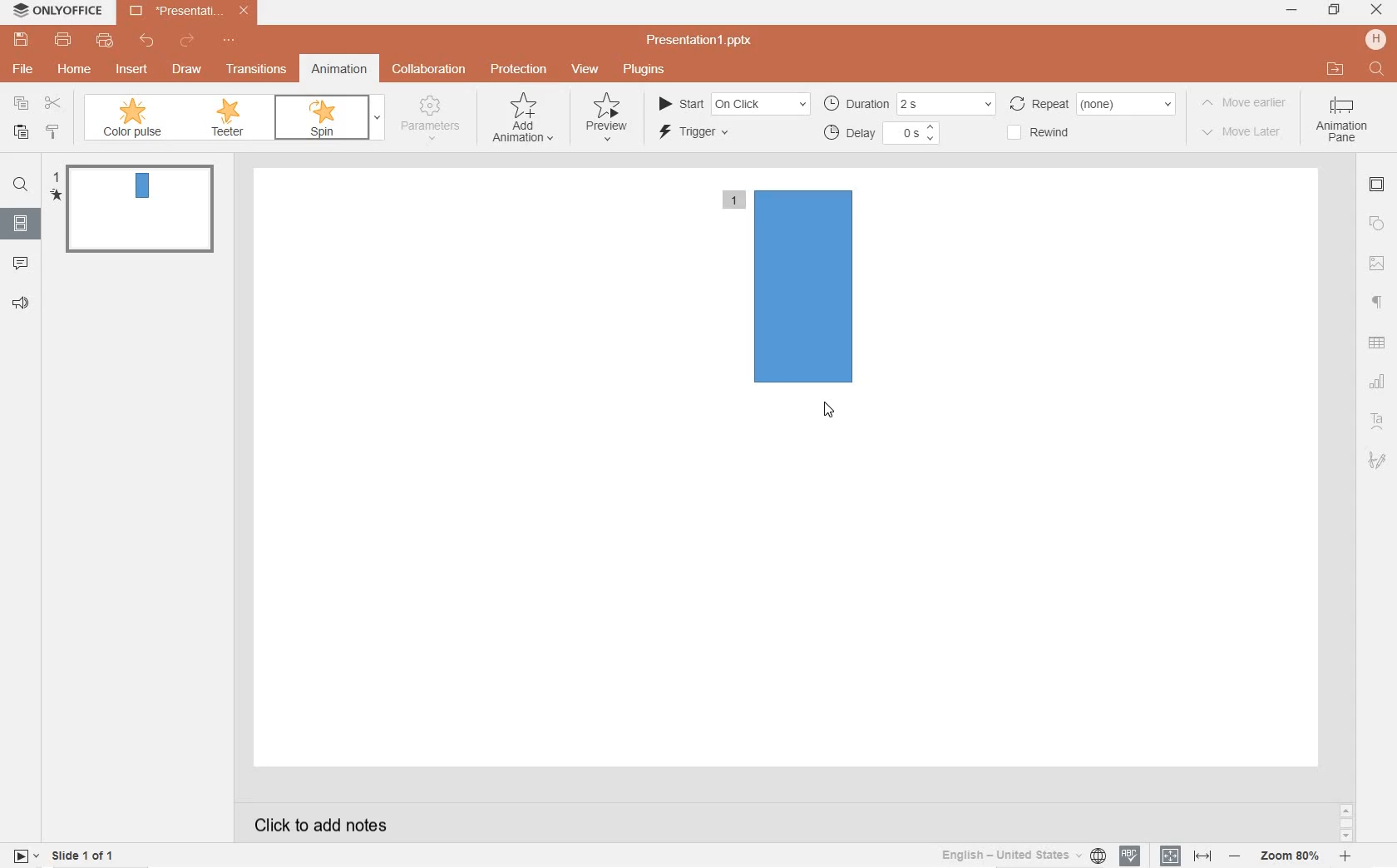 The height and width of the screenshot is (868, 1397). What do you see at coordinates (186, 67) in the screenshot?
I see `draw` at bounding box center [186, 67].